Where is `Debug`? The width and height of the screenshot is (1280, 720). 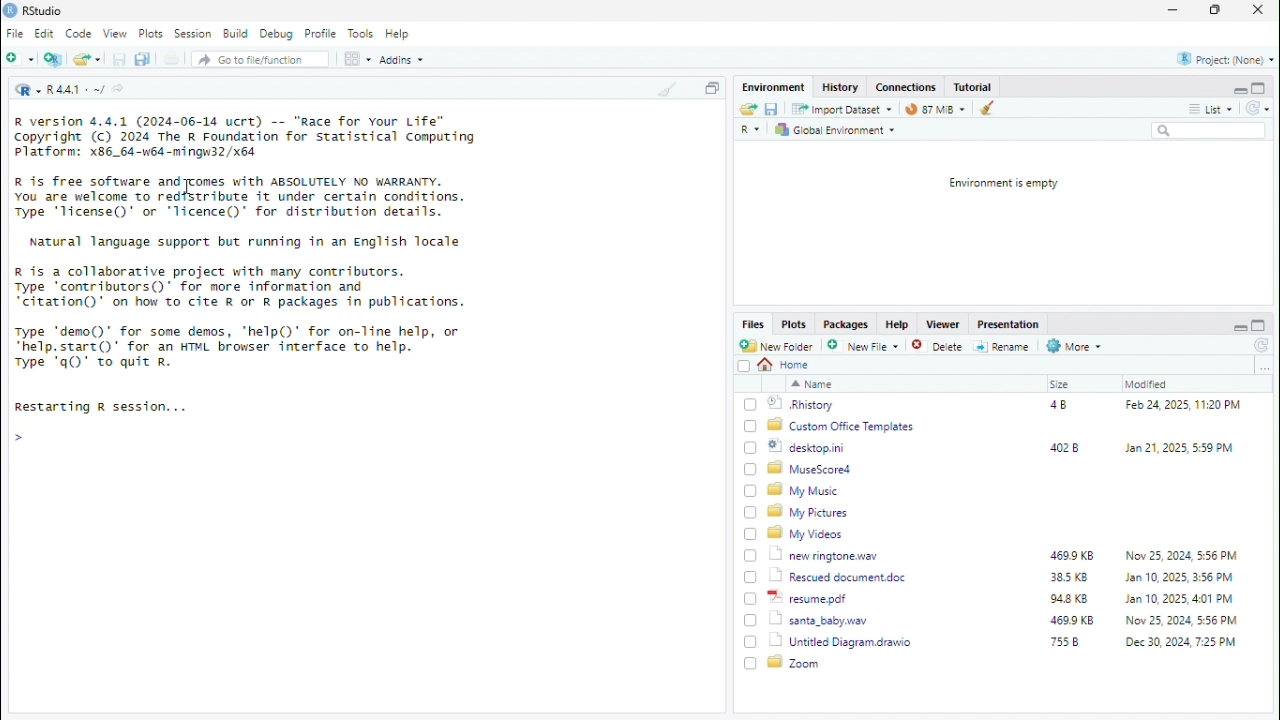 Debug is located at coordinates (277, 34).